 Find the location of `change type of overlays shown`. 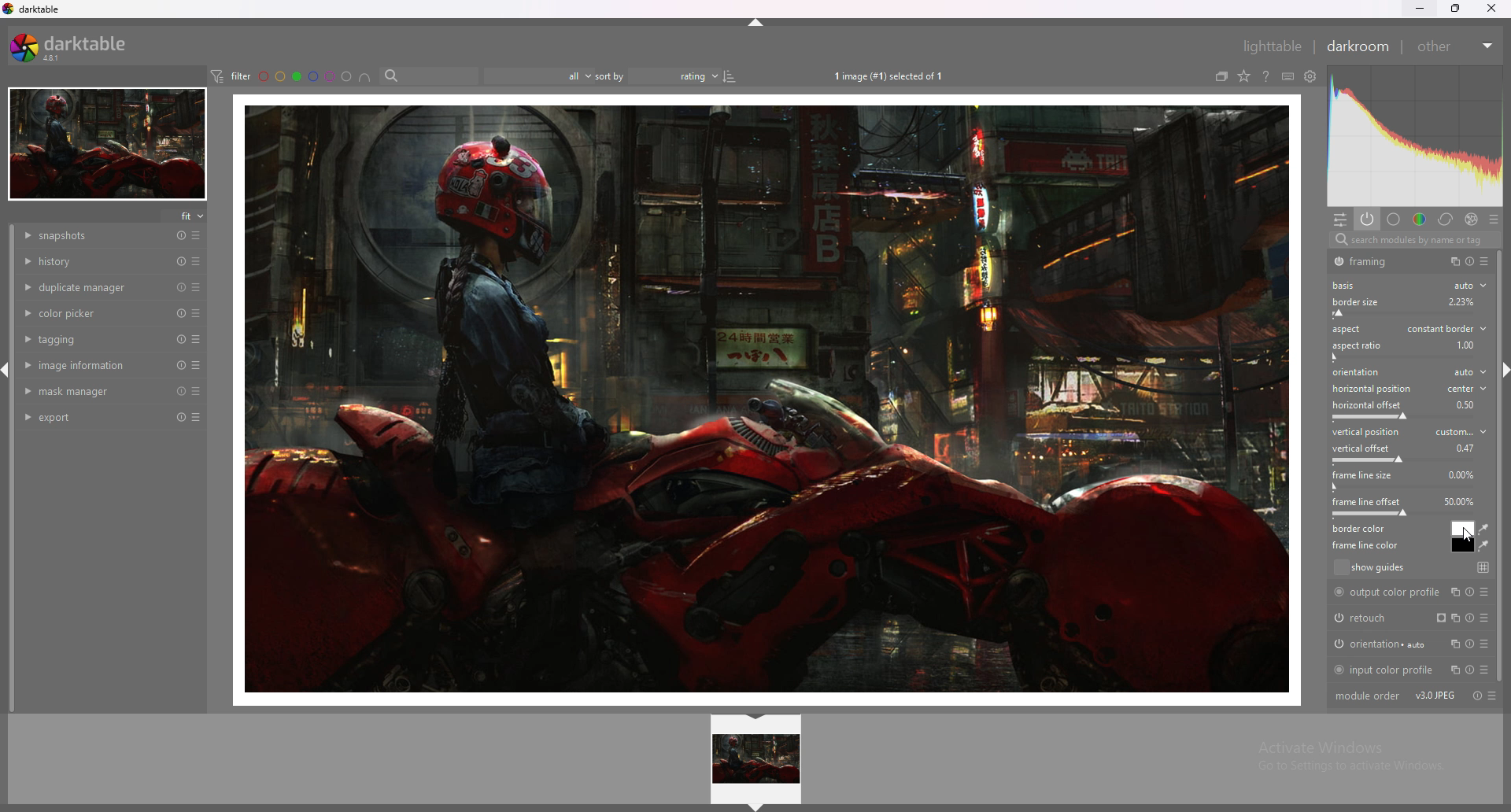

change type of overlays shown is located at coordinates (1243, 76).